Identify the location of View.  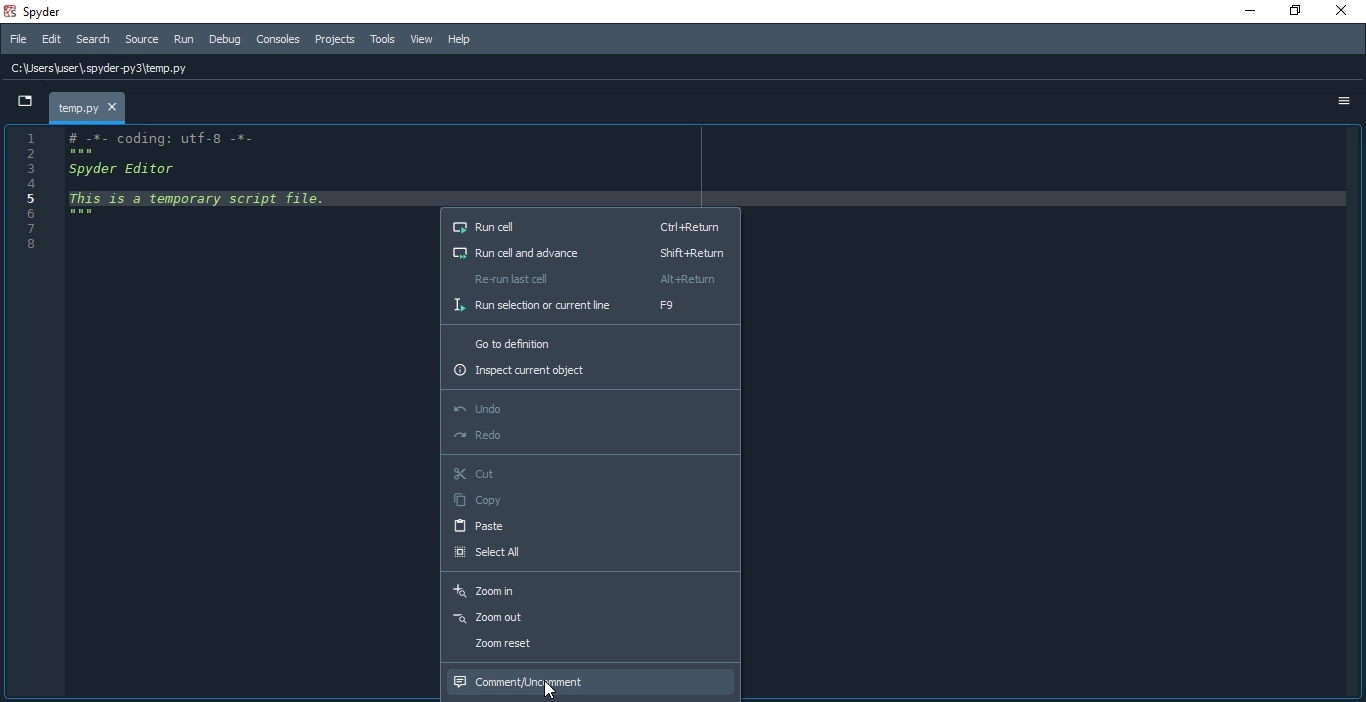
(423, 41).